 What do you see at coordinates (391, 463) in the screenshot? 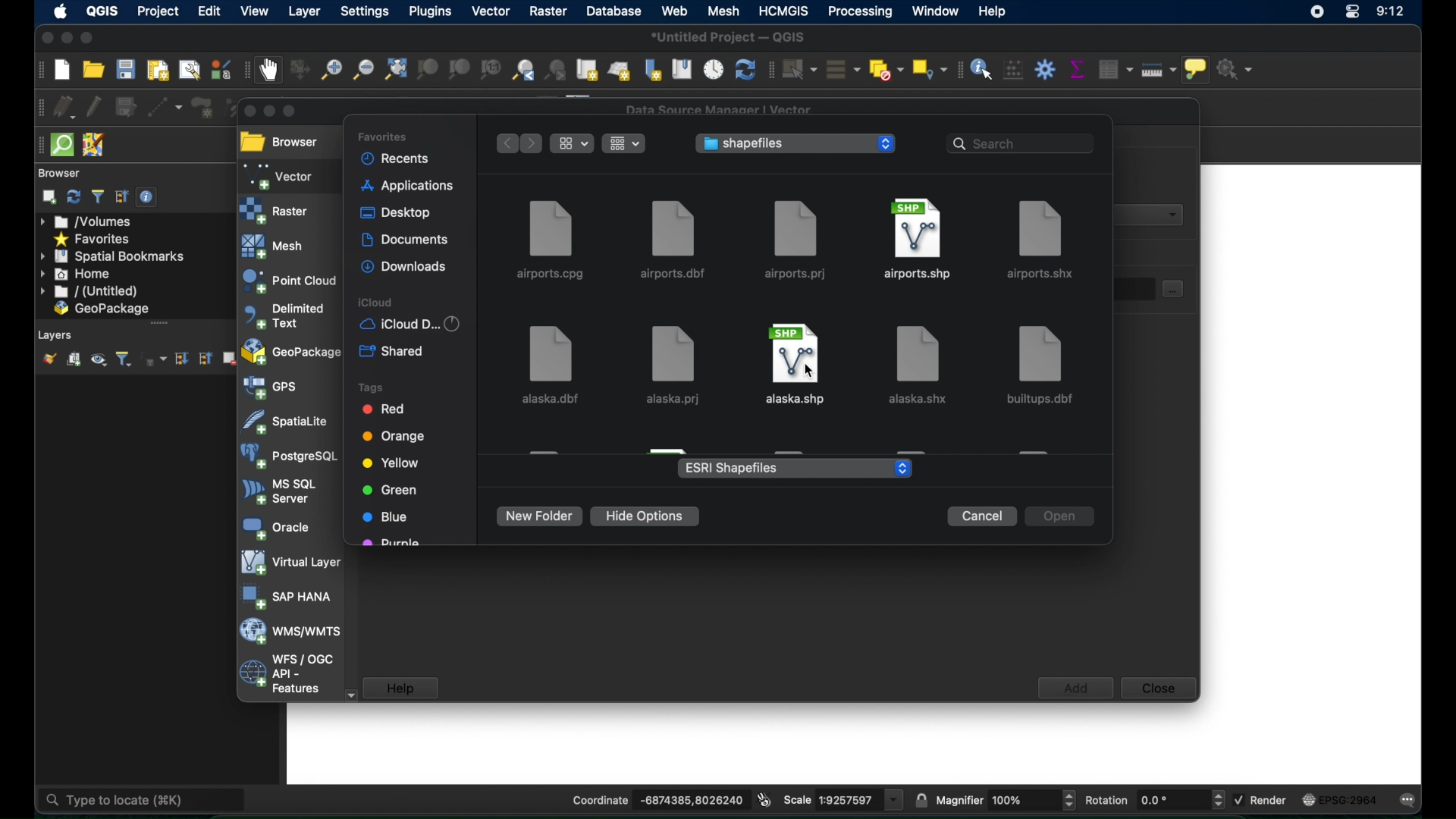
I see `yellow` at bounding box center [391, 463].